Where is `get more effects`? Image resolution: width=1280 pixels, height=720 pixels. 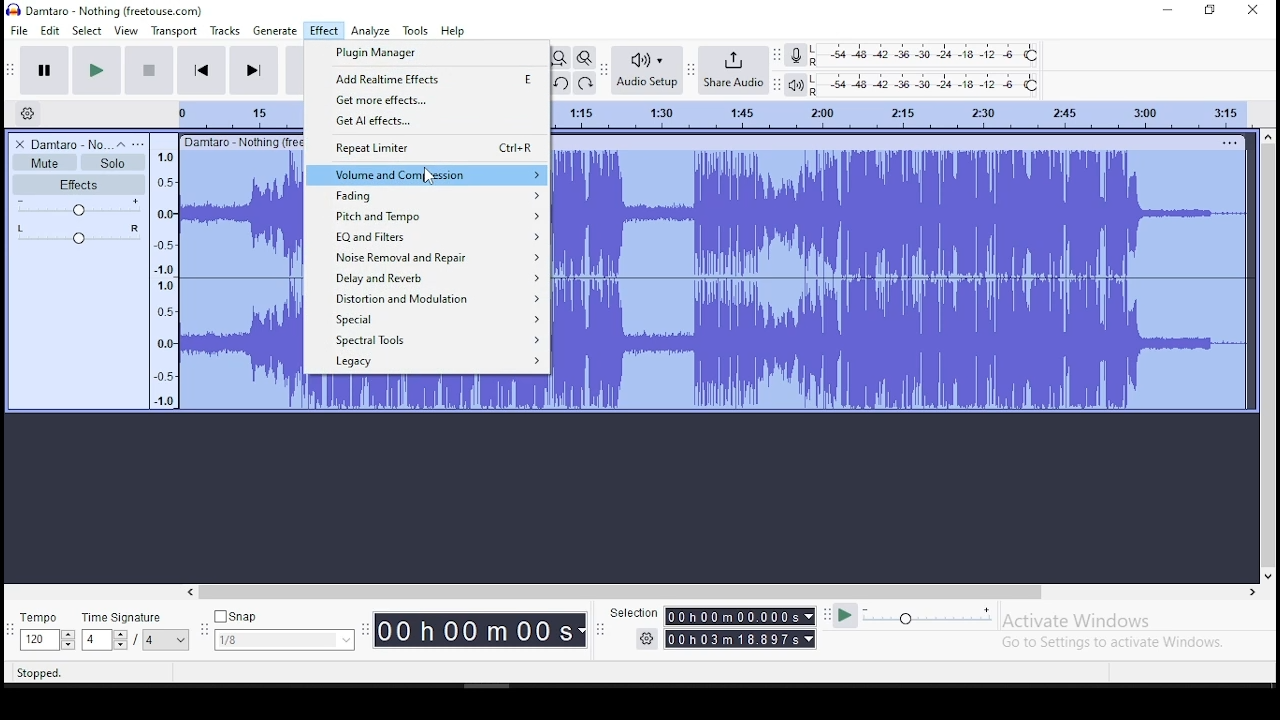
get more effects is located at coordinates (427, 99).